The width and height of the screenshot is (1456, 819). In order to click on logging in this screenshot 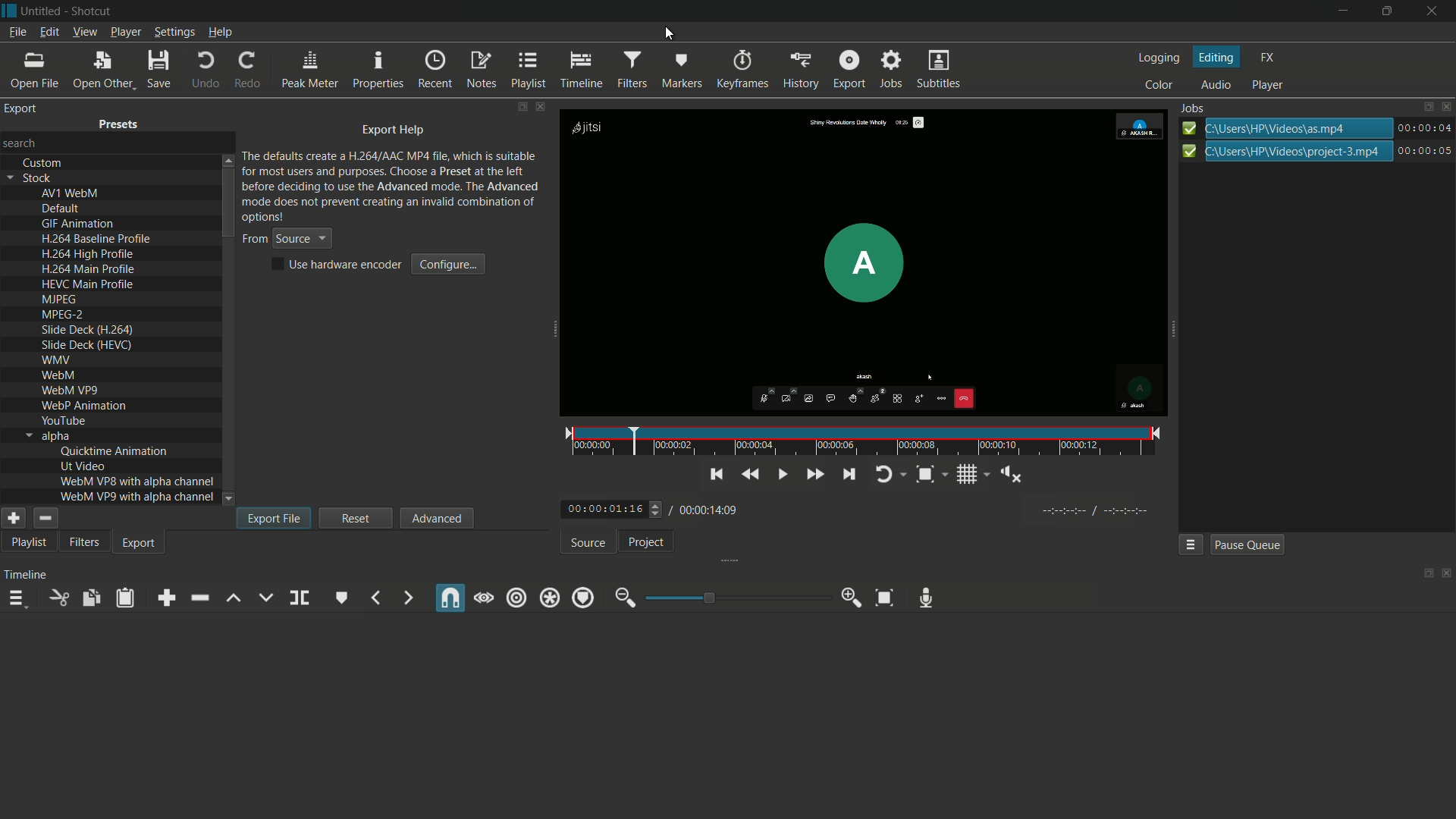, I will do `click(1159, 58)`.